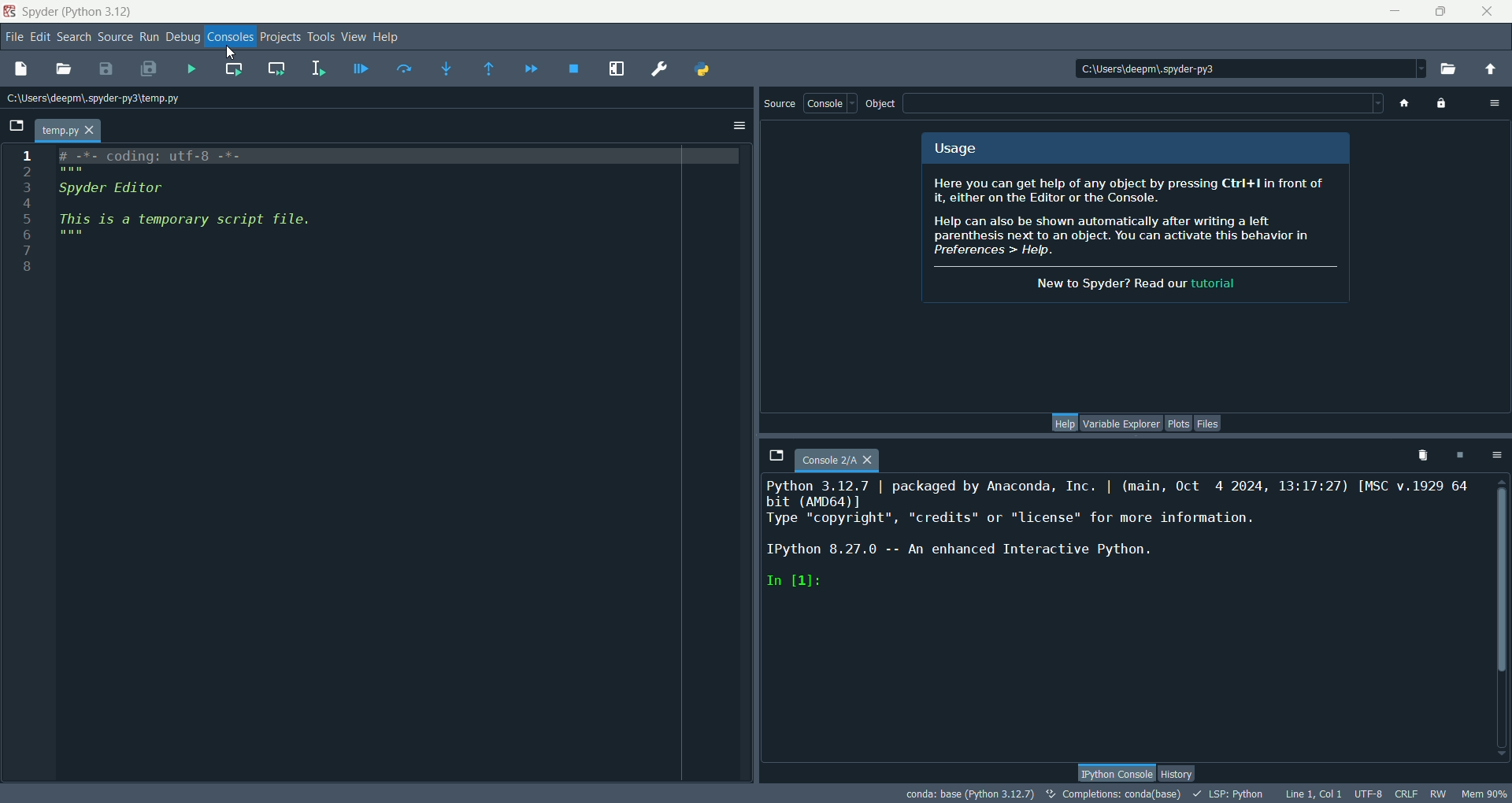 The height and width of the screenshot is (803, 1512). I want to click on script file, so click(216, 213).